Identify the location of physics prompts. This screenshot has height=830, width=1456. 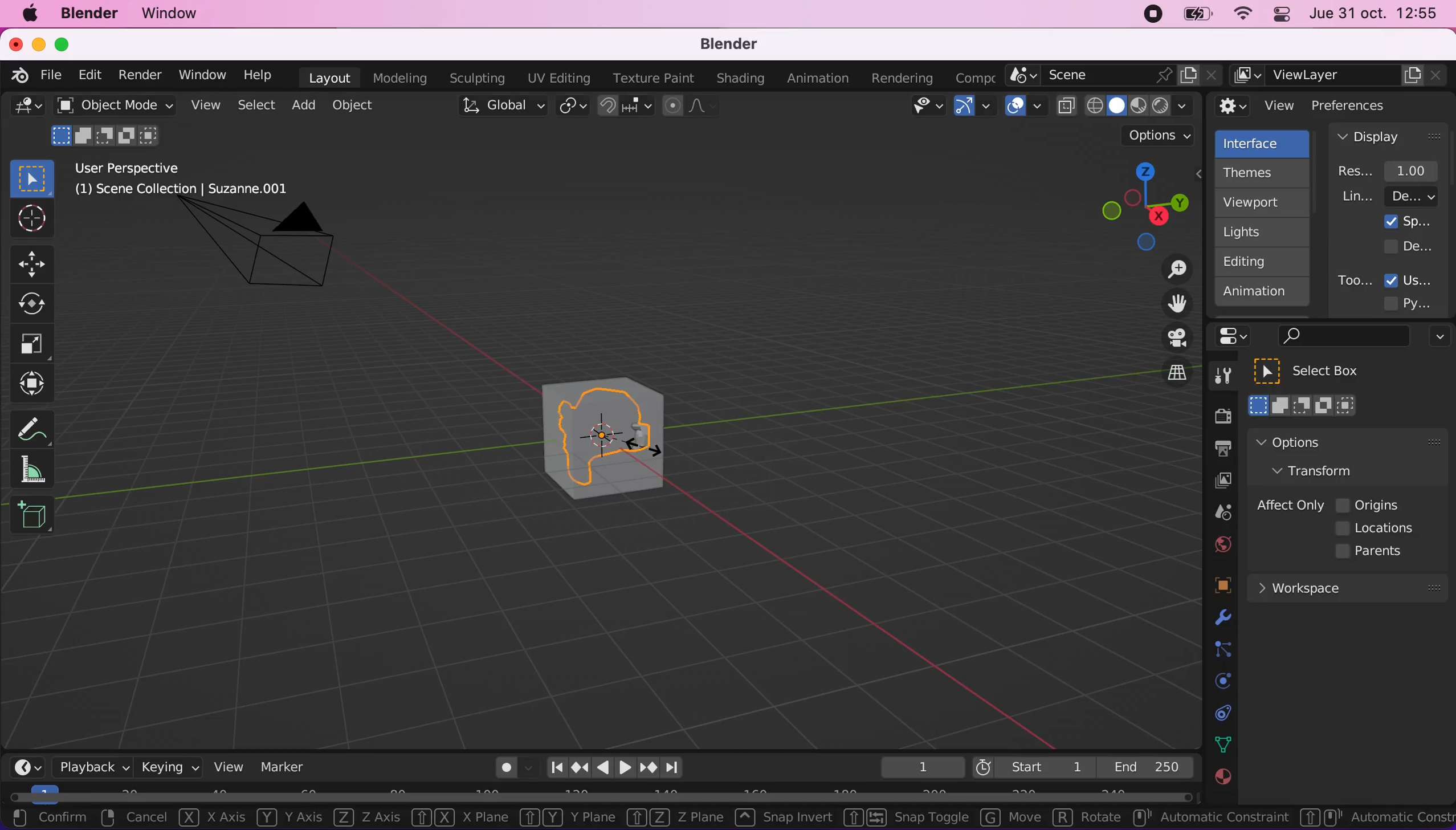
(1216, 682).